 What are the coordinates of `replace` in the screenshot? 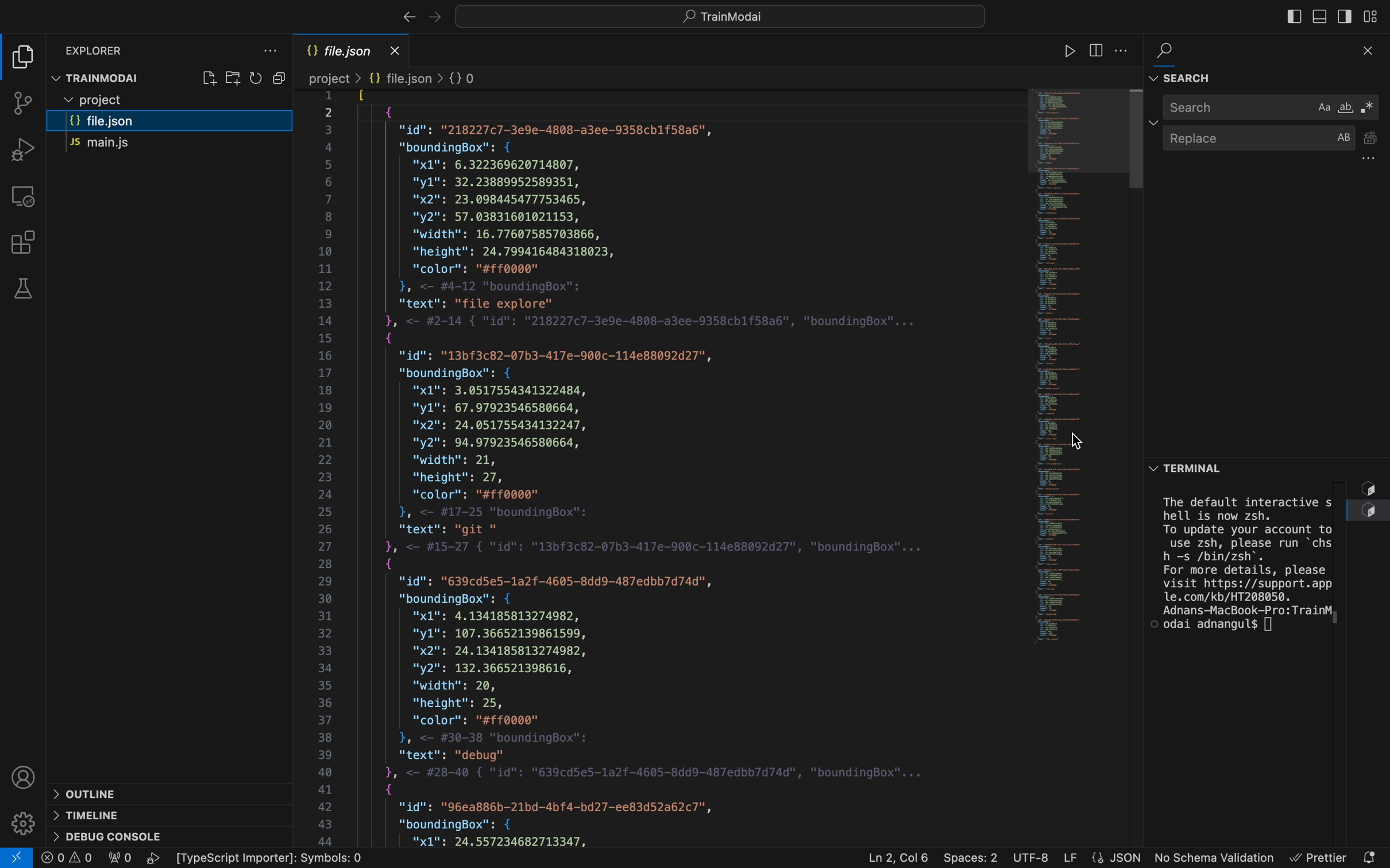 It's located at (1275, 146).